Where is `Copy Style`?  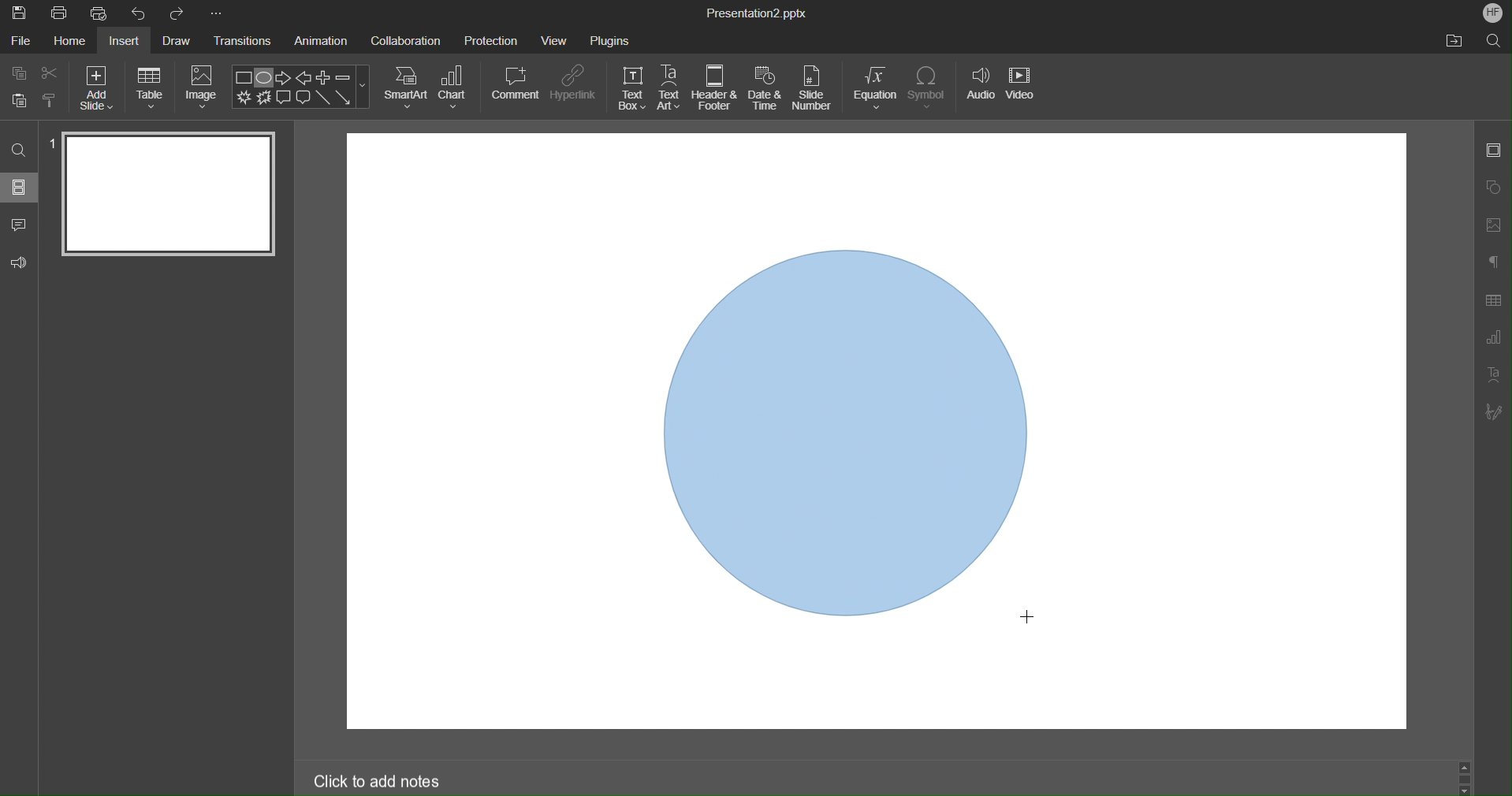
Copy Style is located at coordinates (50, 99).